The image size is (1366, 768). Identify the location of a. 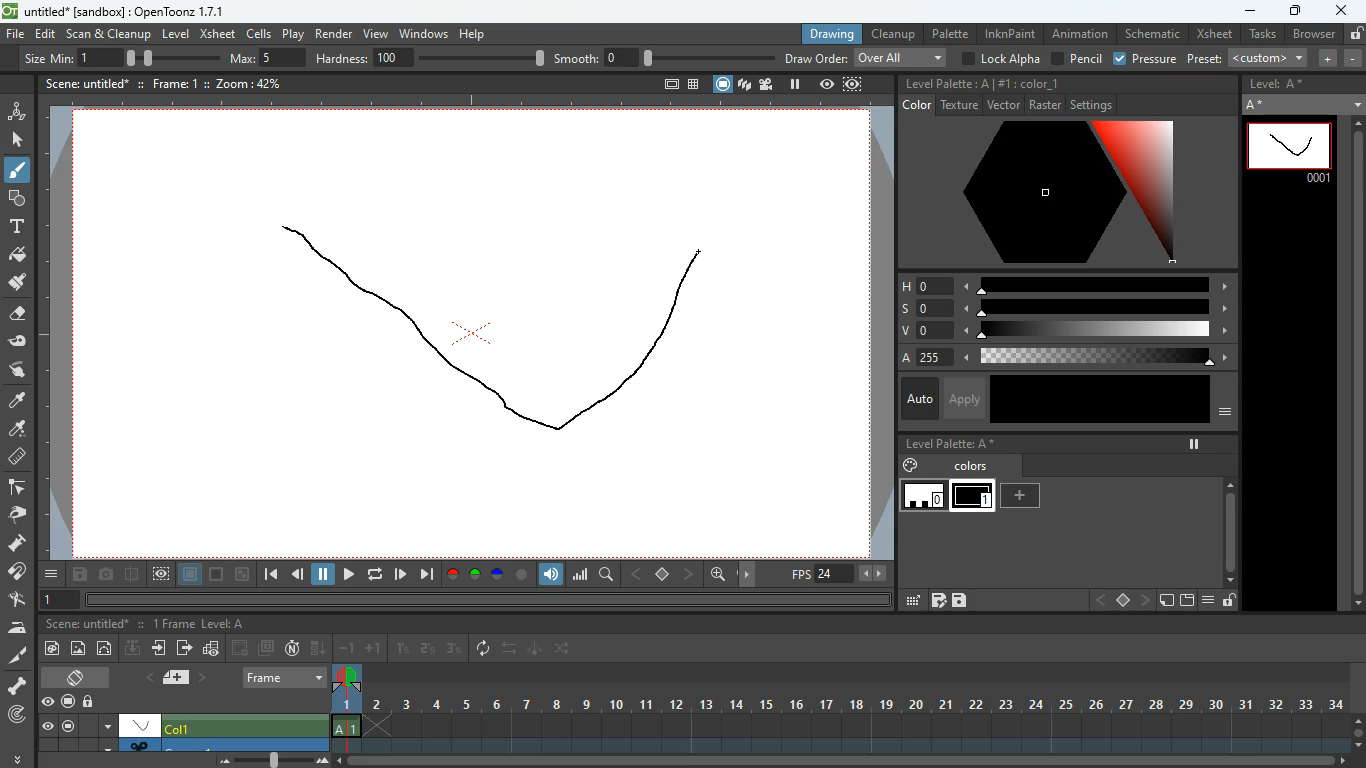
(18, 401).